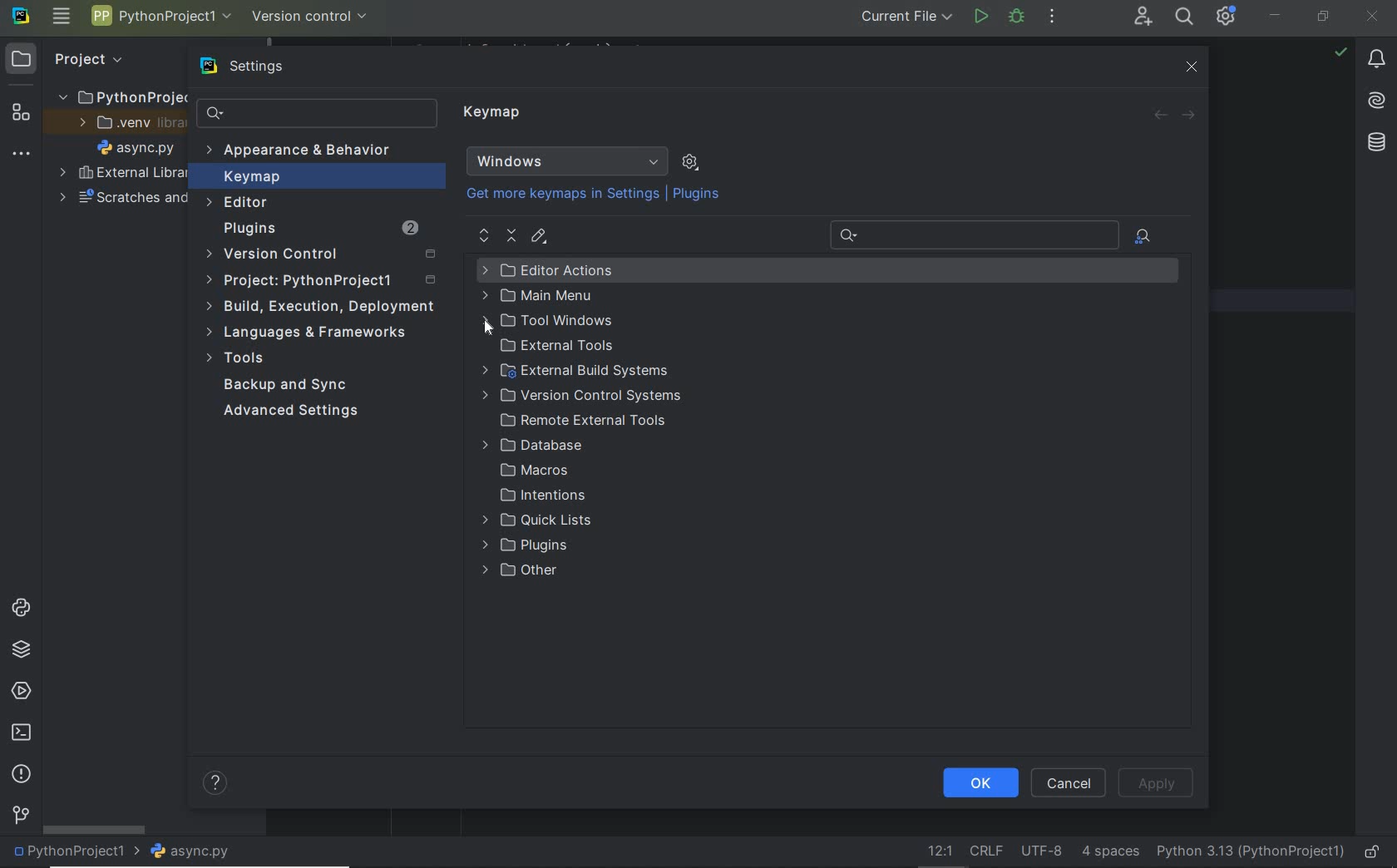 The height and width of the screenshot is (868, 1397). I want to click on go to line, so click(937, 852).